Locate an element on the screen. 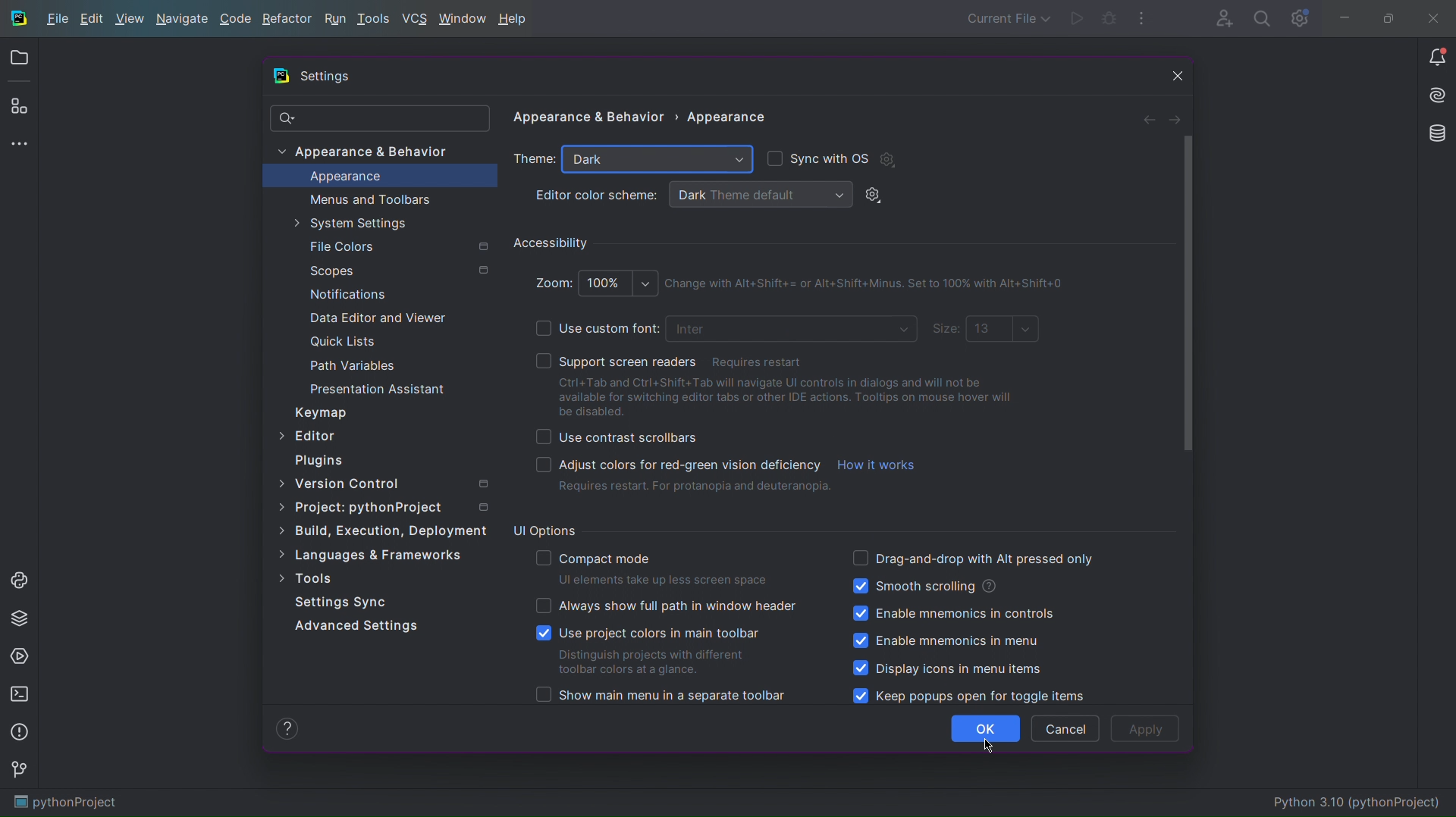  File Colors is located at coordinates (397, 246).